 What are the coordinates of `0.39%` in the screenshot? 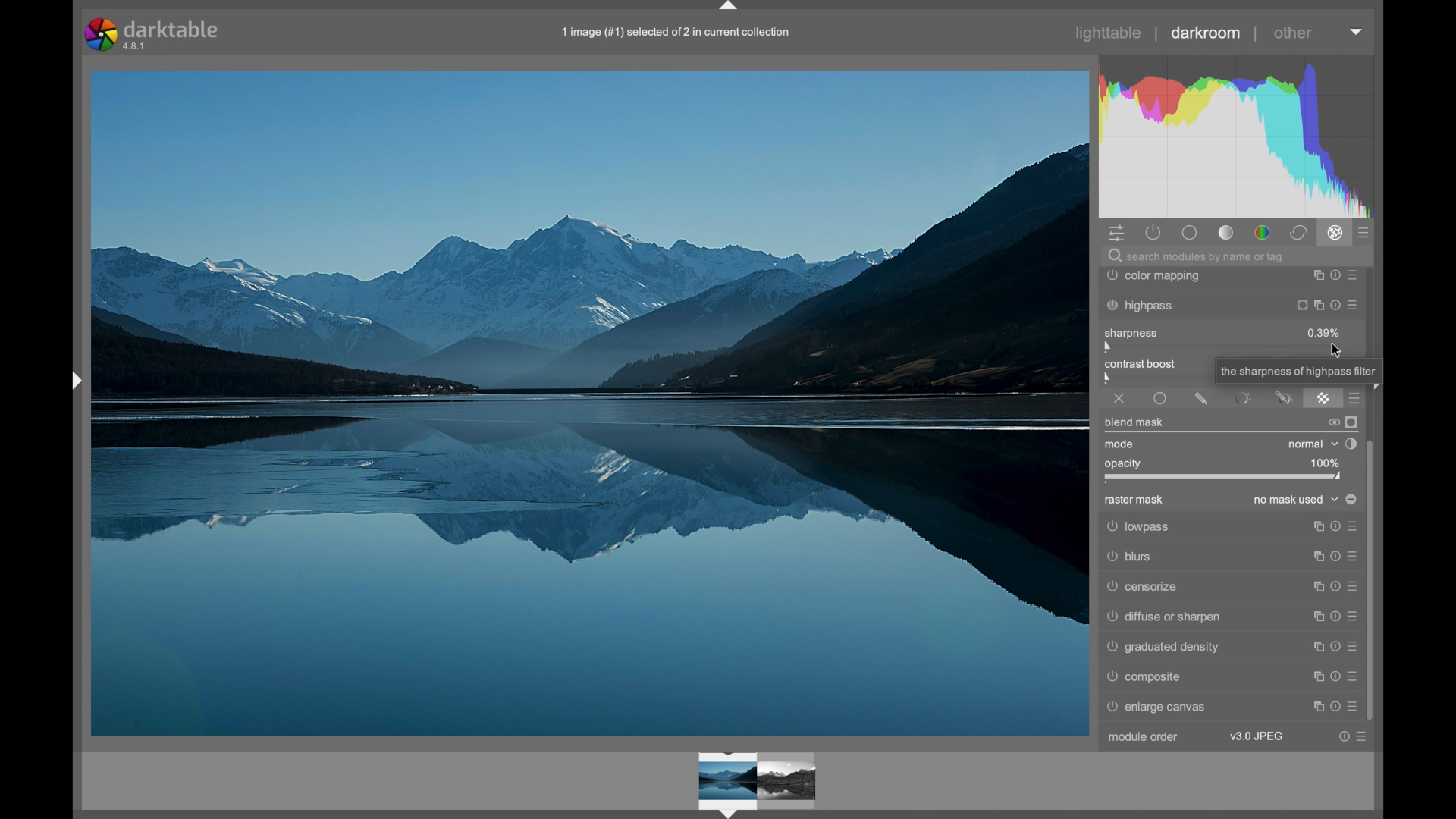 It's located at (1324, 332).